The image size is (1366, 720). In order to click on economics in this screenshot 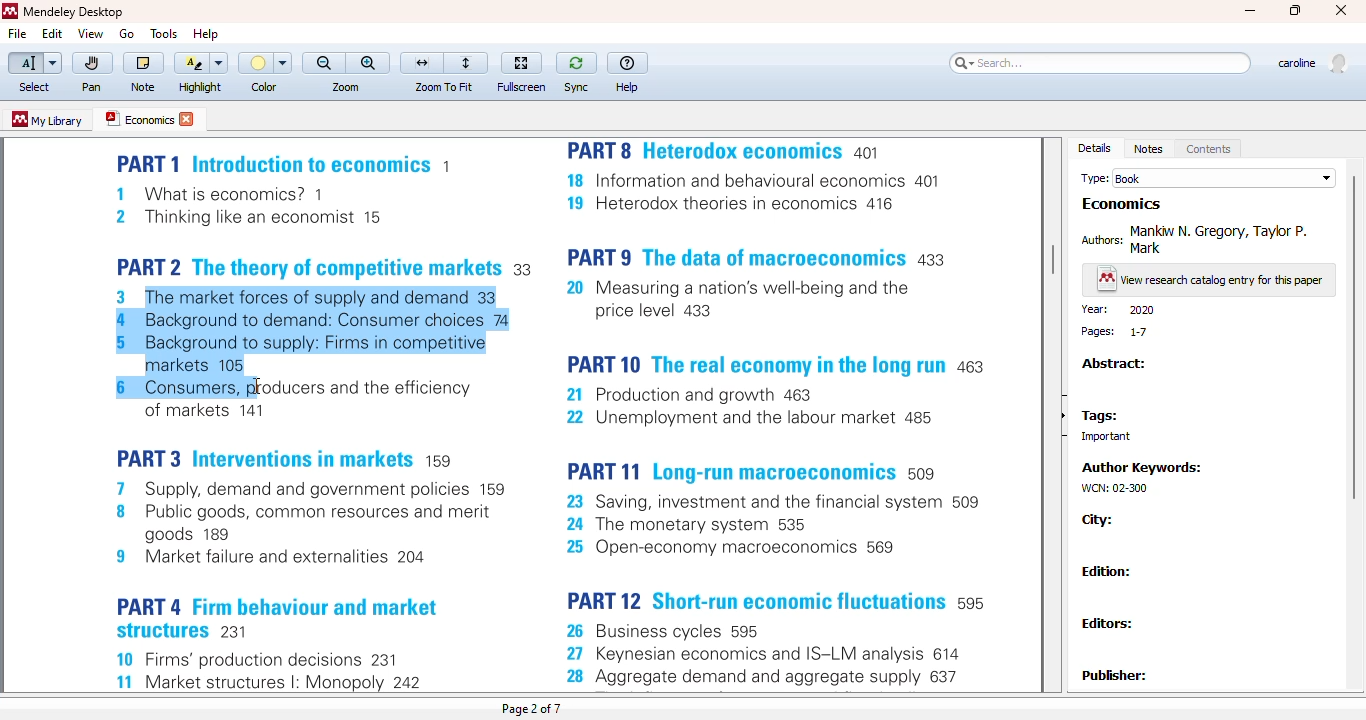, I will do `click(138, 118)`.